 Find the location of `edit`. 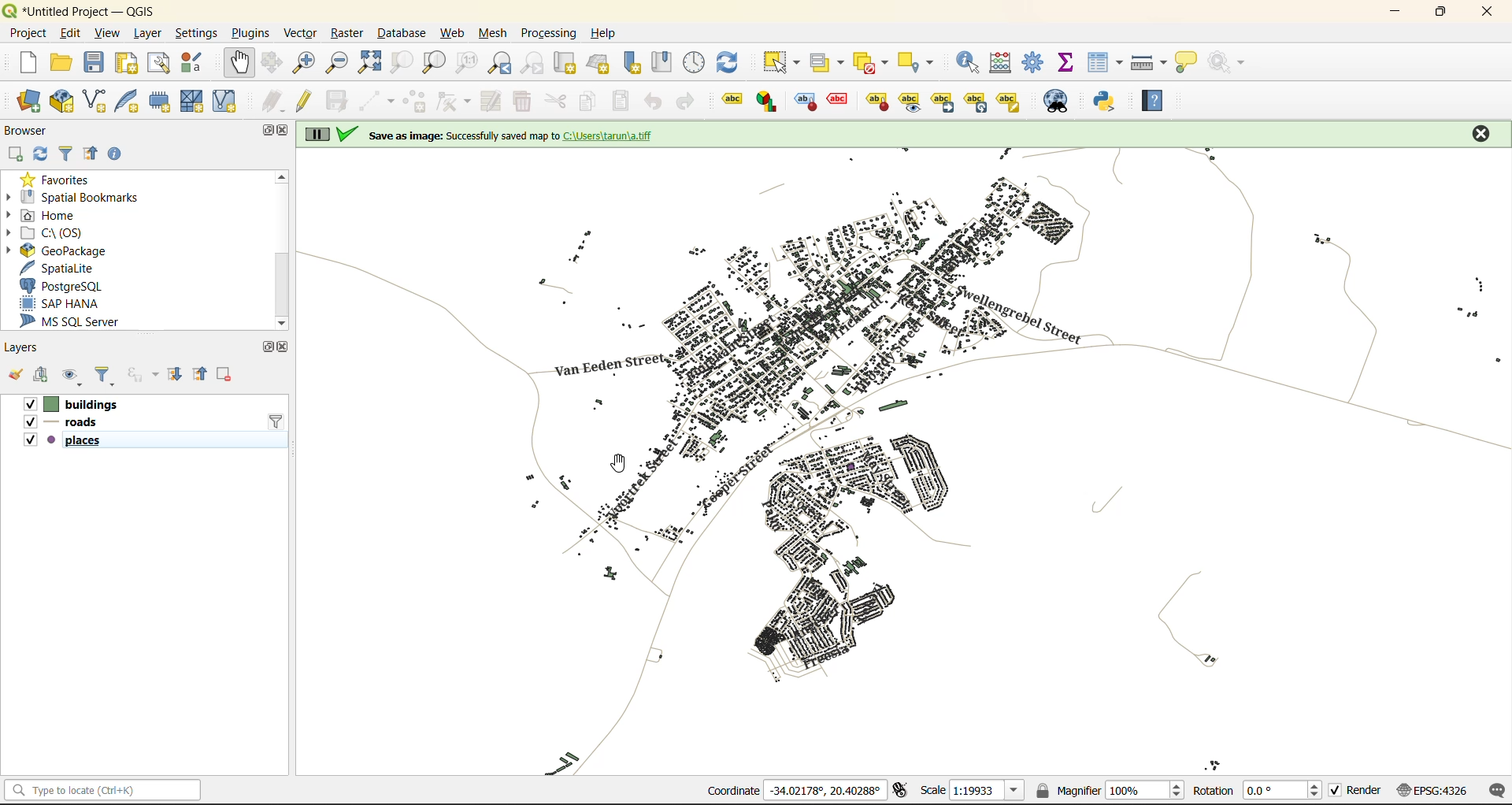

edit is located at coordinates (67, 32).